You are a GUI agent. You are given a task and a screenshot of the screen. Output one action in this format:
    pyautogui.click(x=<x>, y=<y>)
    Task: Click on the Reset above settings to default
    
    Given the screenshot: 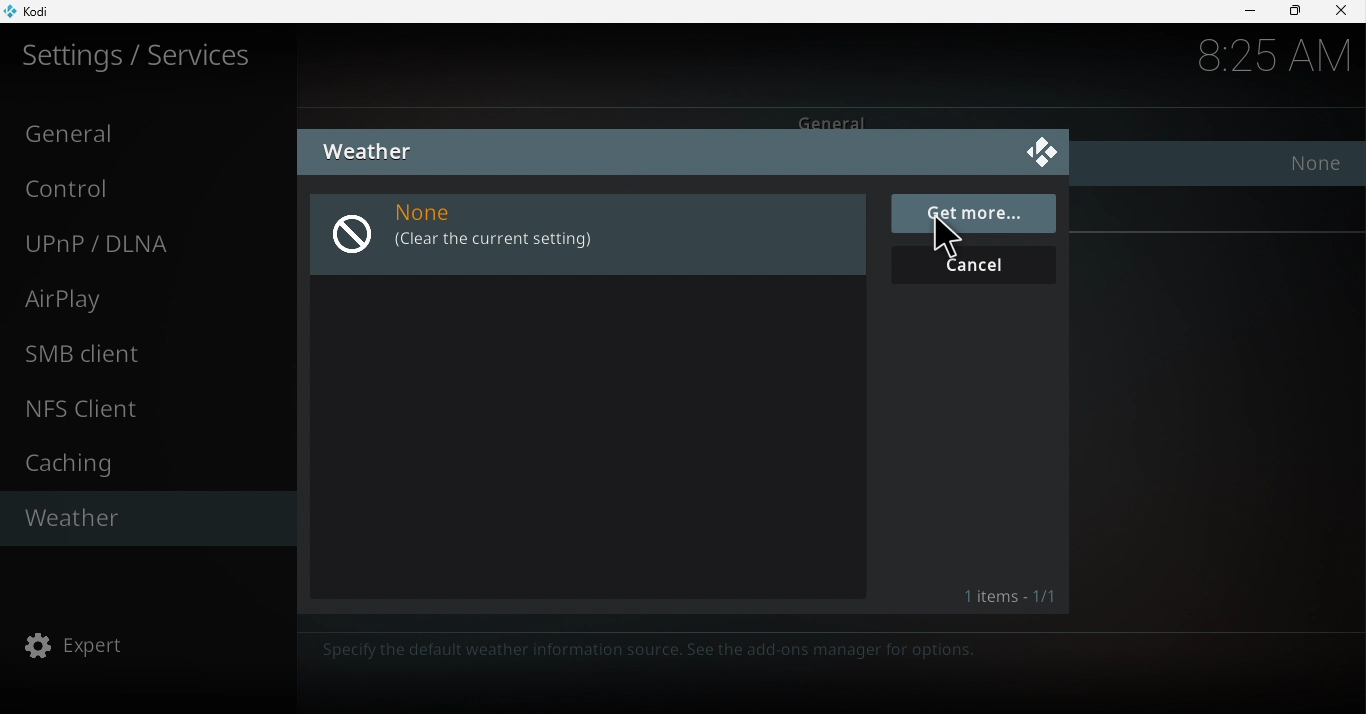 What is the action you would take?
    pyautogui.click(x=1218, y=260)
    